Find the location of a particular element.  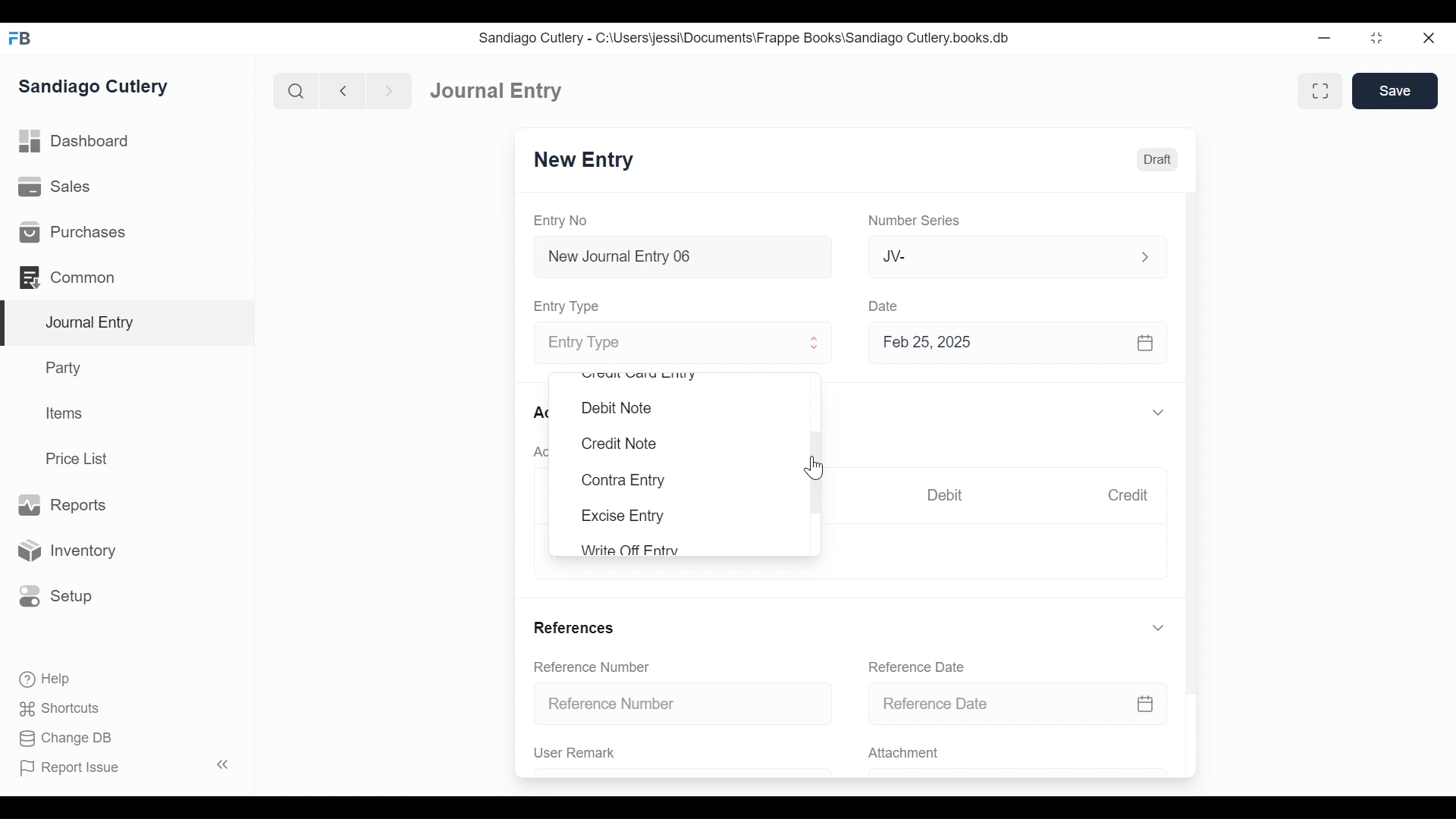

References is located at coordinates (573, 627).